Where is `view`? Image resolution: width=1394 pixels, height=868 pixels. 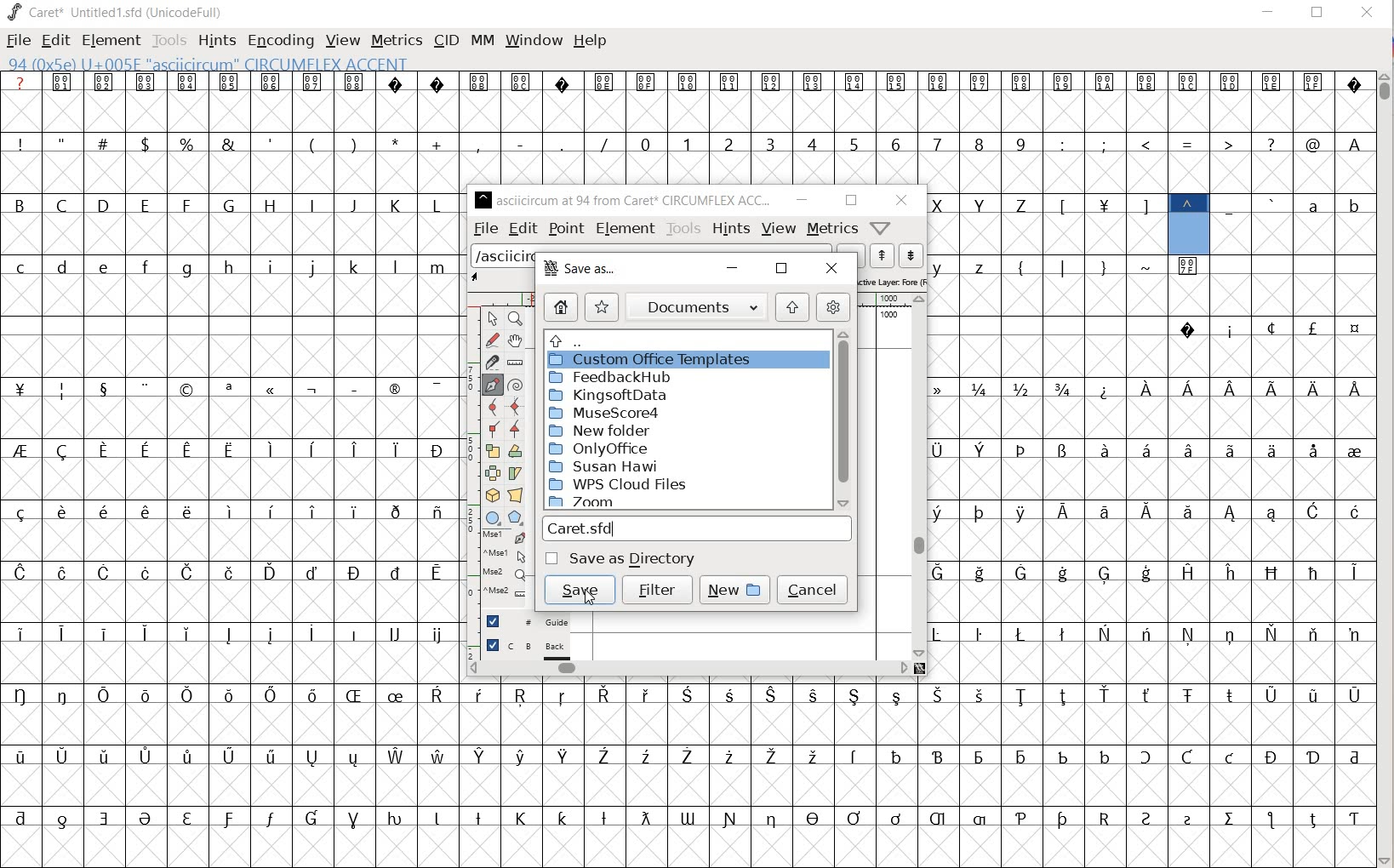 view is located at coordinates (779, 229).